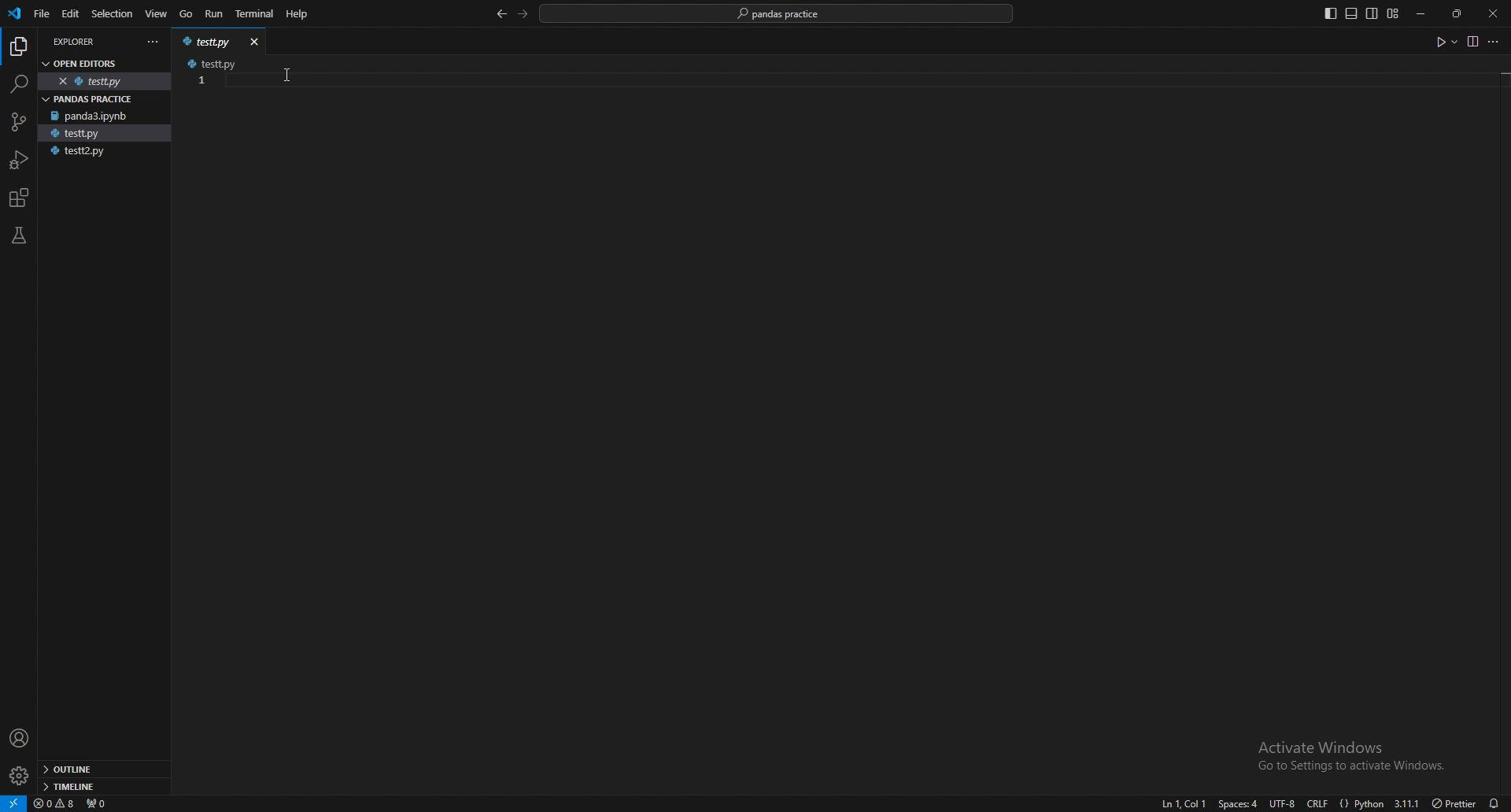 The width and height of the screenshot is (1511, 812). I want to click on more actions, so click(153, 42).